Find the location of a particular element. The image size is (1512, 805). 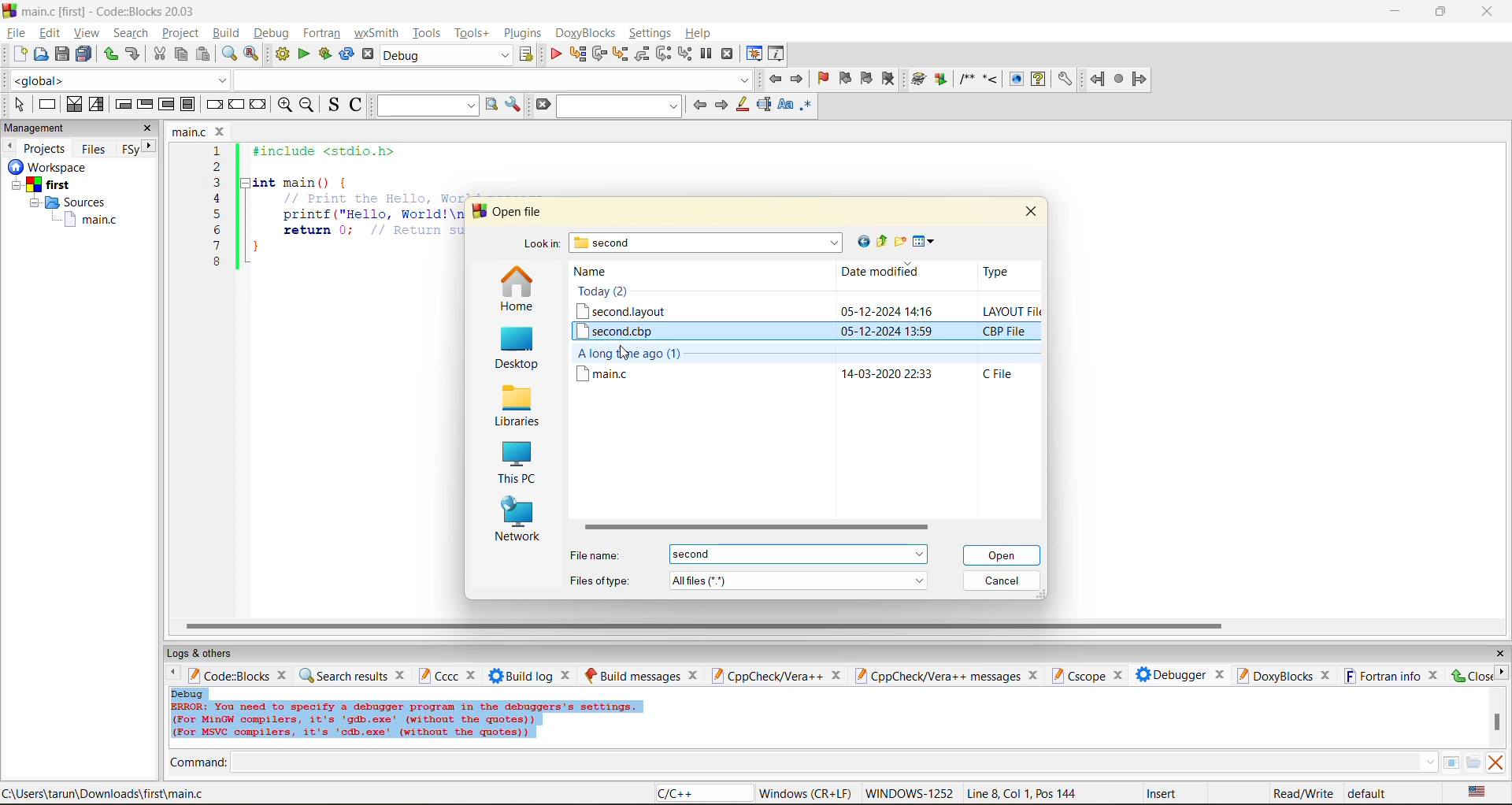

file name is located at coordinates (598, 555).